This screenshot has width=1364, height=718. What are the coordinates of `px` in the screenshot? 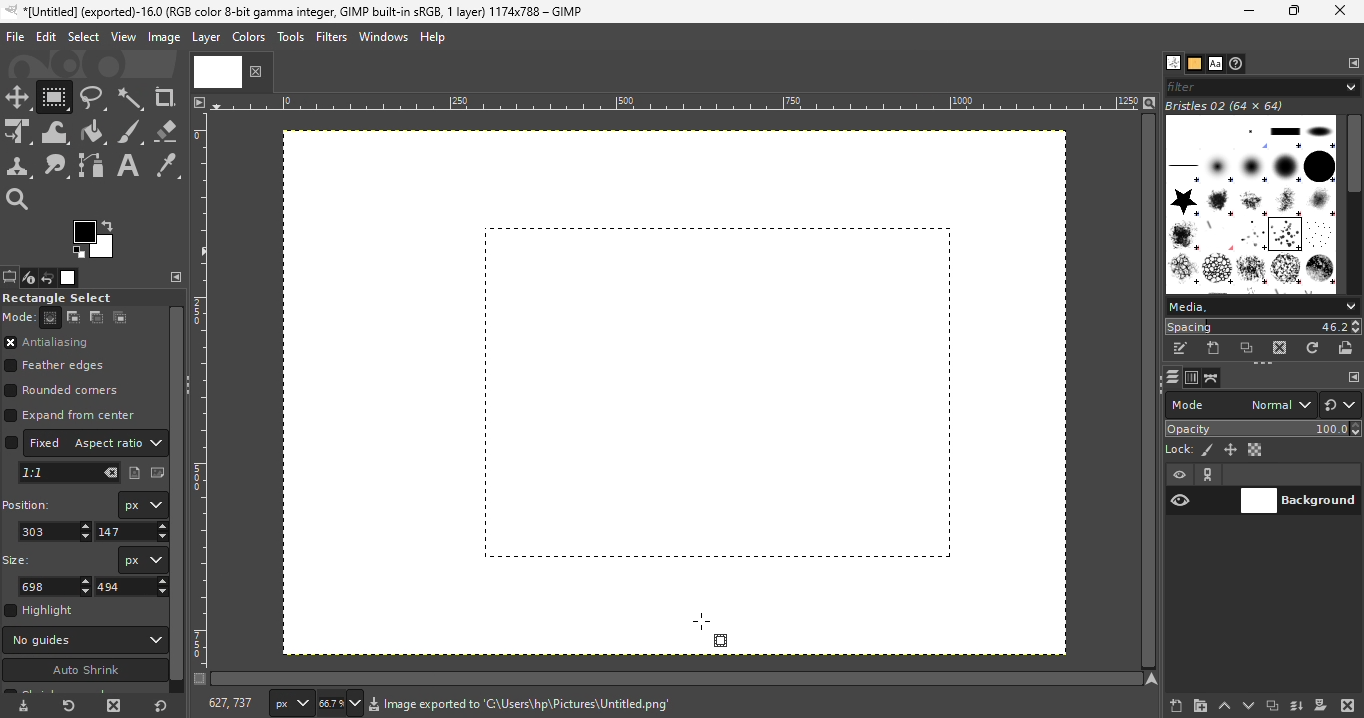 It's located at (289, 702).